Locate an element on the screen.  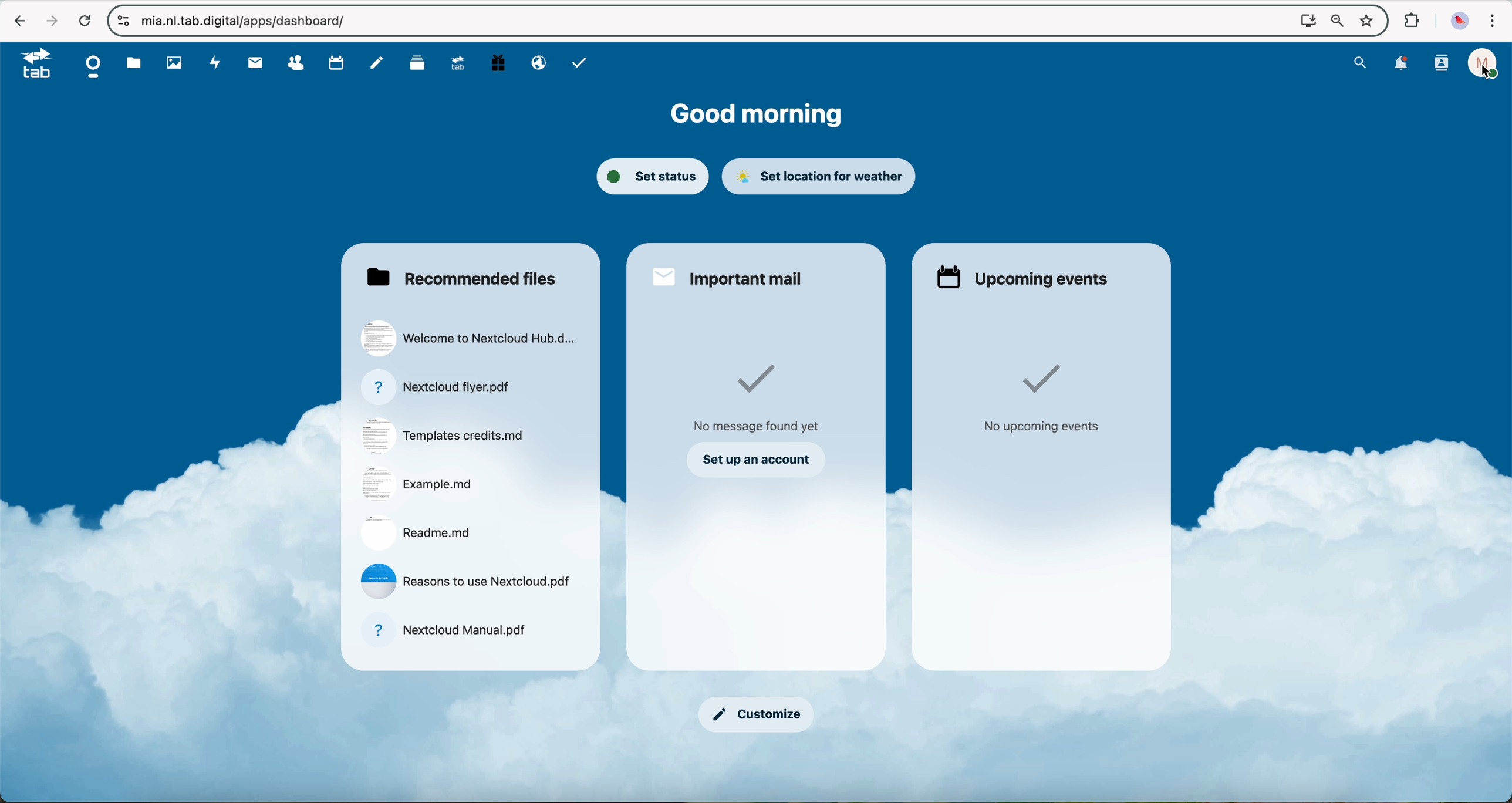
customize and control Google Chrome is located at coordinates (1494, 21).